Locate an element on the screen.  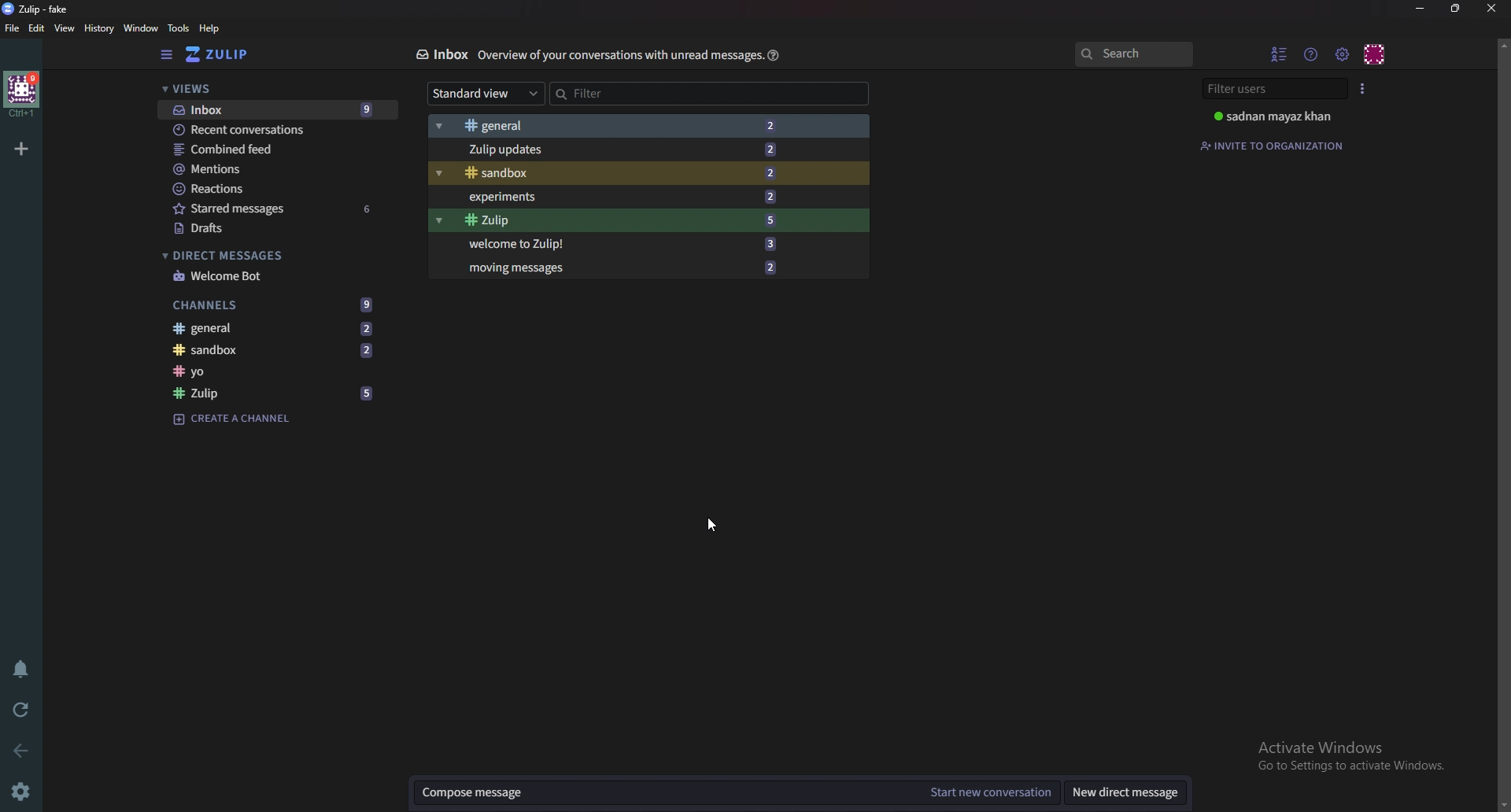
tools is located at coordinates (179, 28).